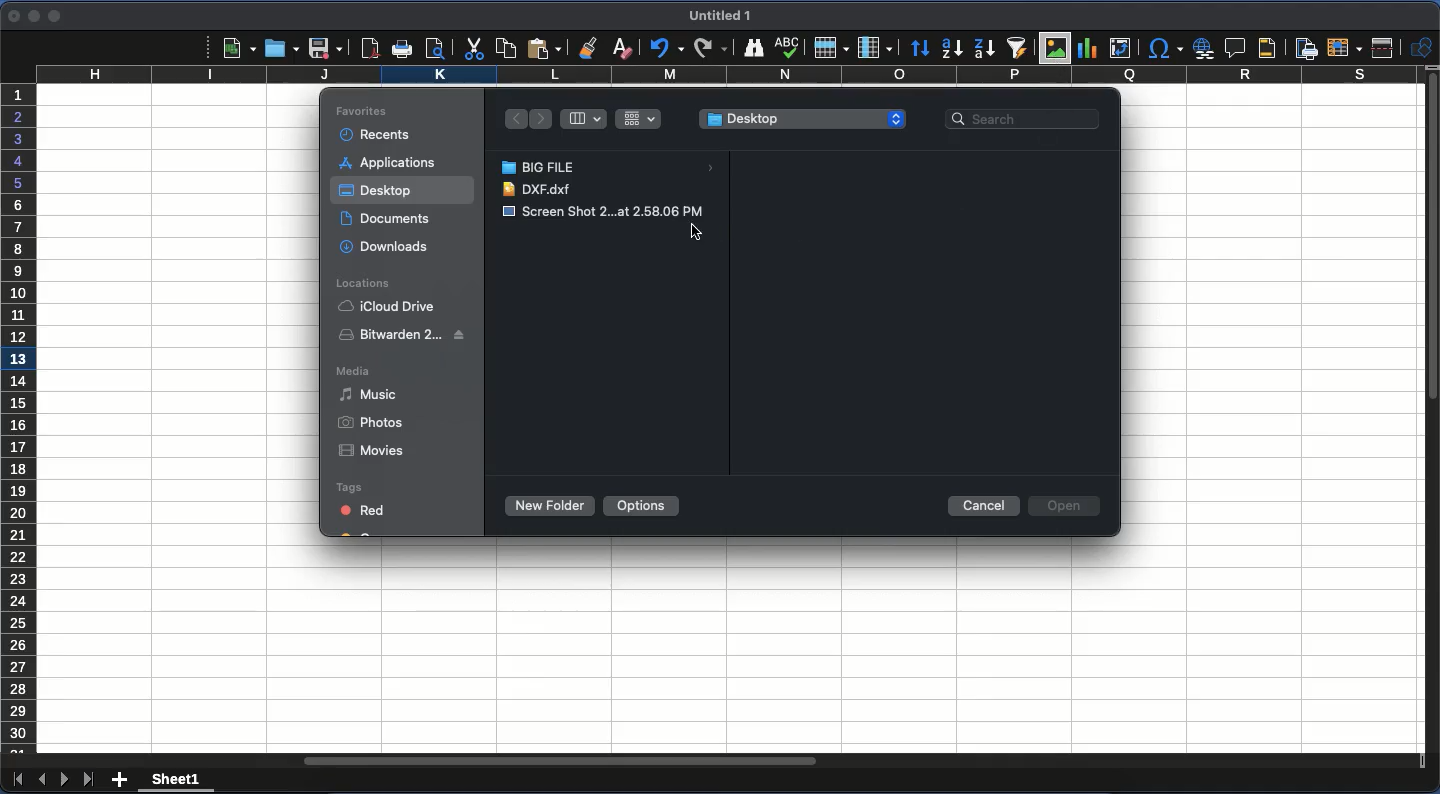 The image size is (1440, 794). What do you see at coordinates (11, 15) in the screenshot?
I see `close` at bounding box center [11, 15].